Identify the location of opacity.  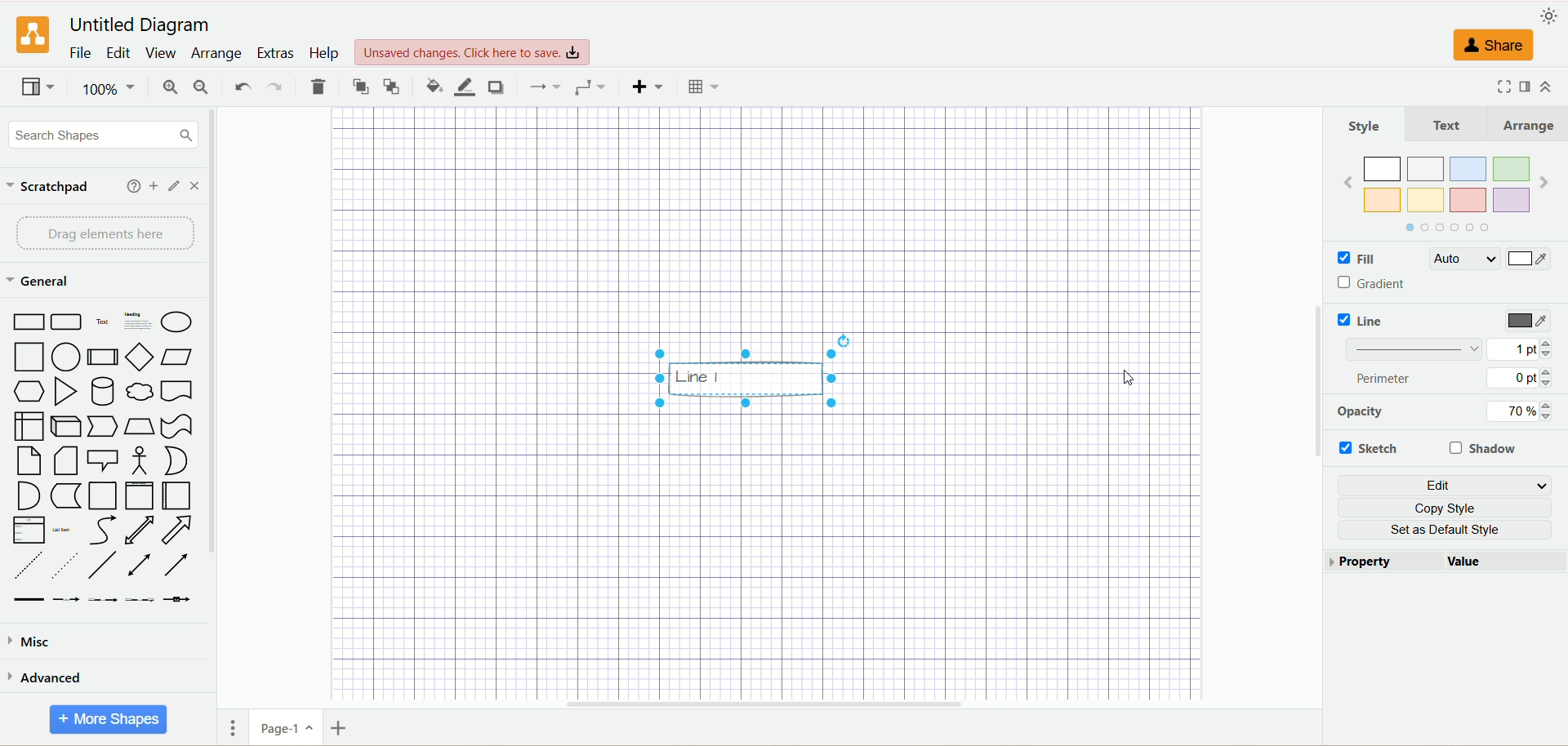
(1358, 413).